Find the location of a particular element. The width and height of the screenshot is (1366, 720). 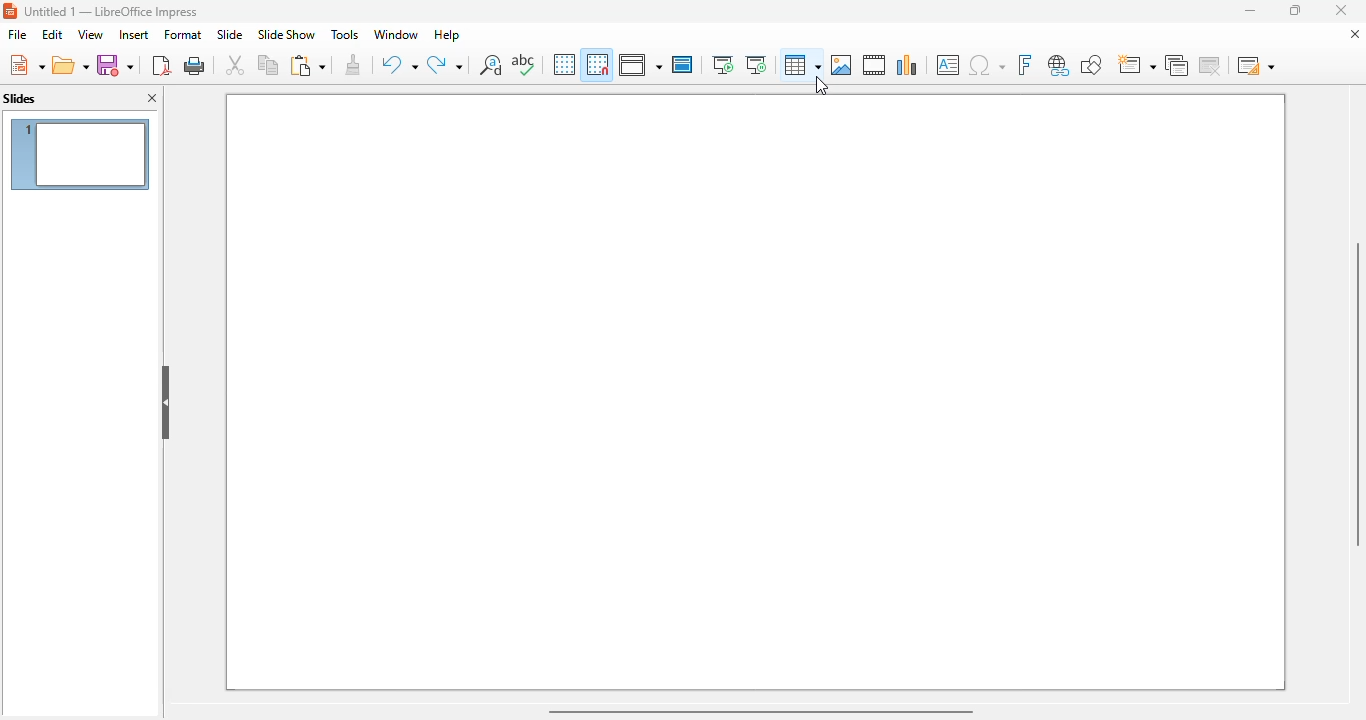

vertical scroll bar is located at coordinates (1356, 393).